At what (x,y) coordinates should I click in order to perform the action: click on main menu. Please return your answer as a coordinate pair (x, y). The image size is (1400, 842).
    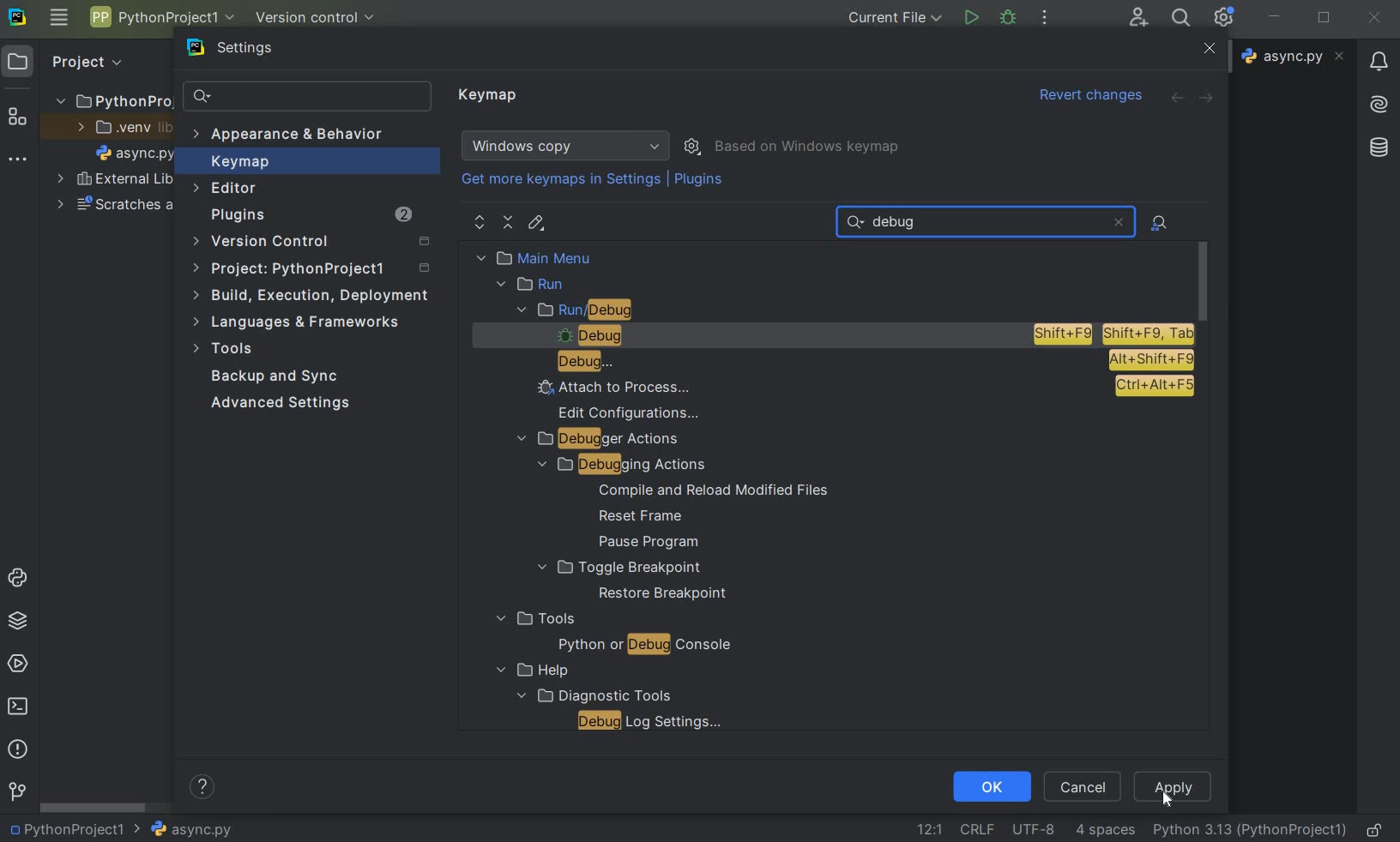
    Looking at the image, I should click on (58, 17).